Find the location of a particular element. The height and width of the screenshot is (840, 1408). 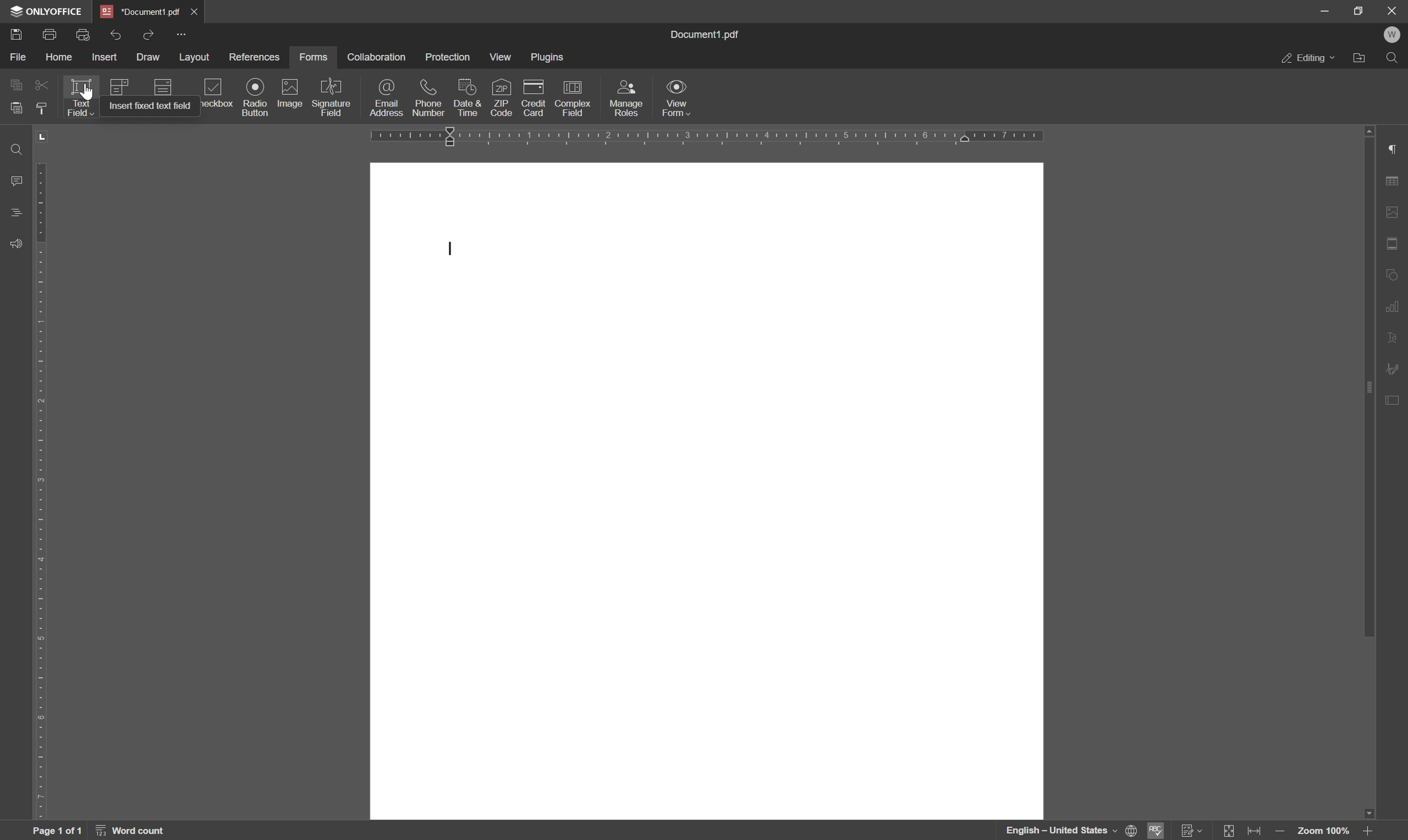

scroll down is located at coordinates (1371, 813).